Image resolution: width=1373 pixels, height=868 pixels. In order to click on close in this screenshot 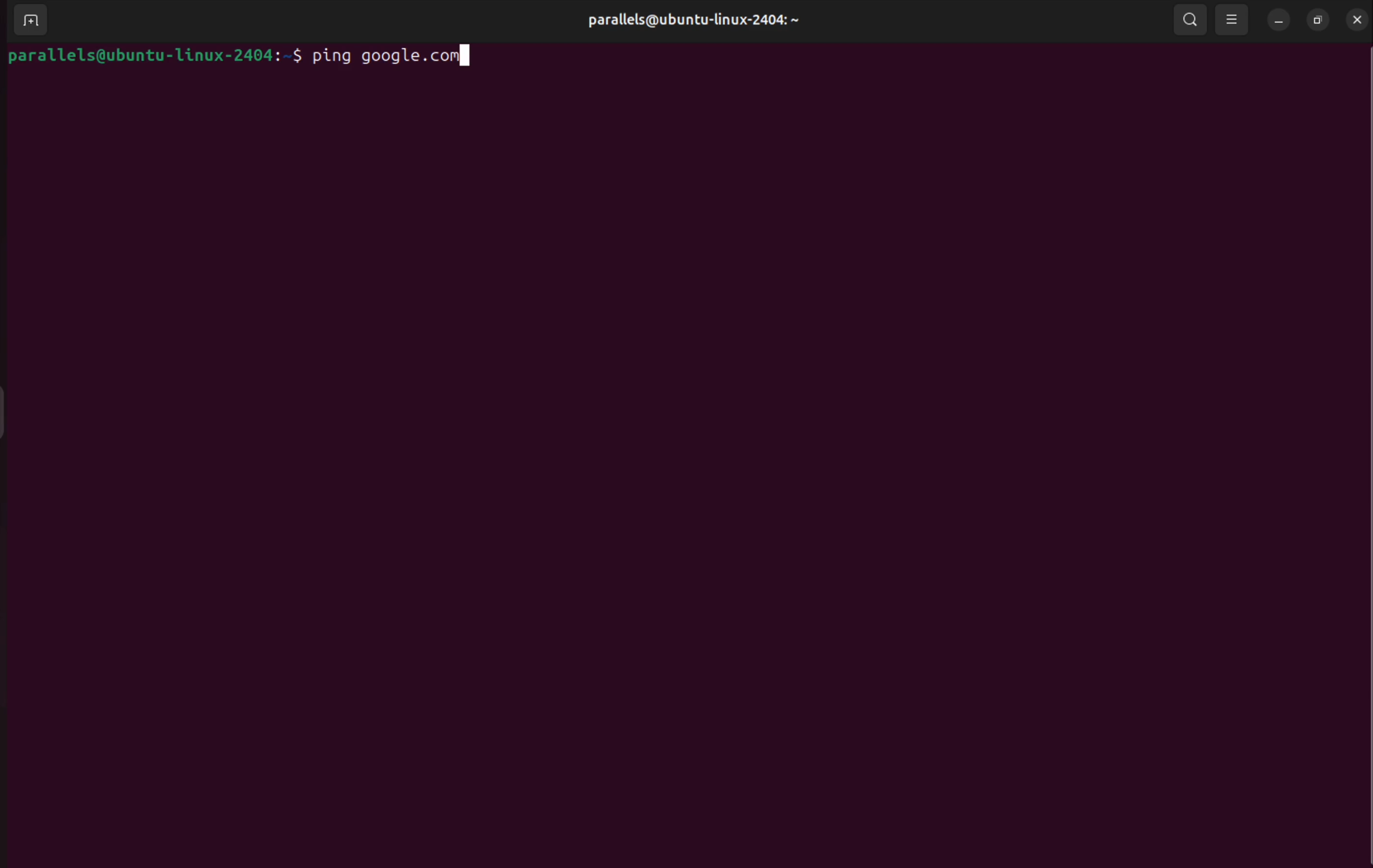, I will do `click(1356, 19)`.